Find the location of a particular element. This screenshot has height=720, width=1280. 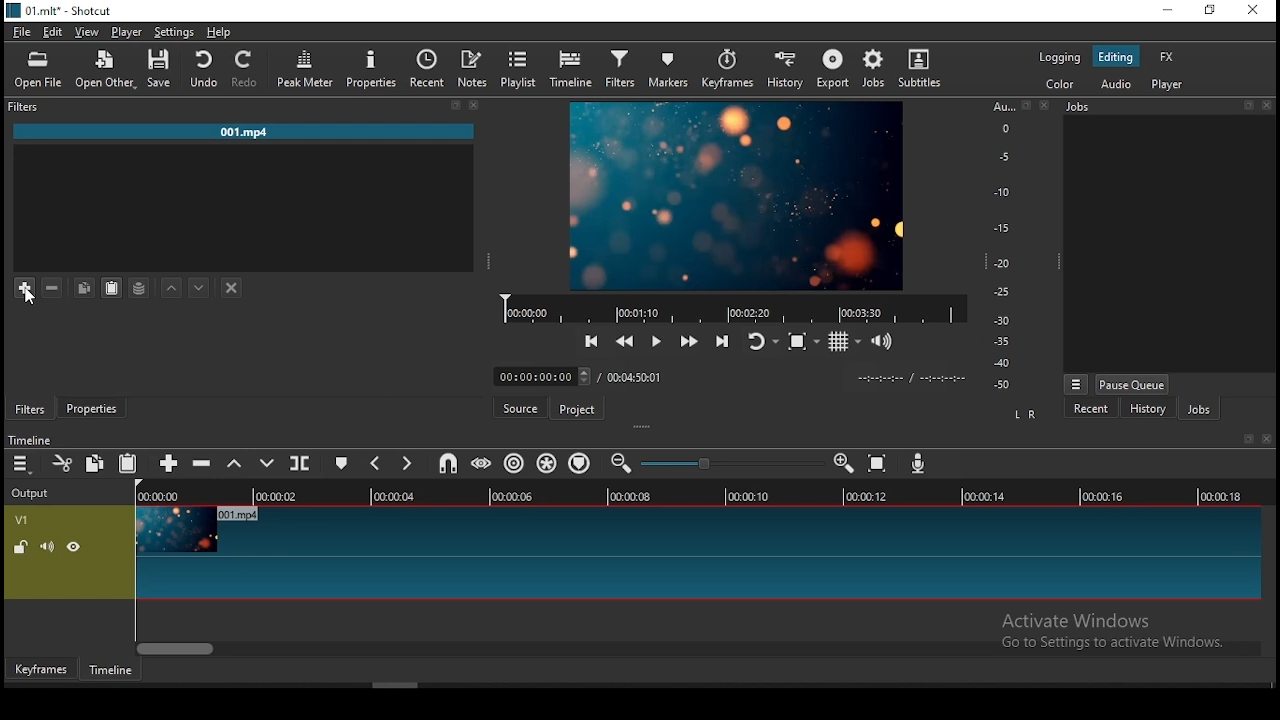

save a filter set is located at coordinates (140, 289).